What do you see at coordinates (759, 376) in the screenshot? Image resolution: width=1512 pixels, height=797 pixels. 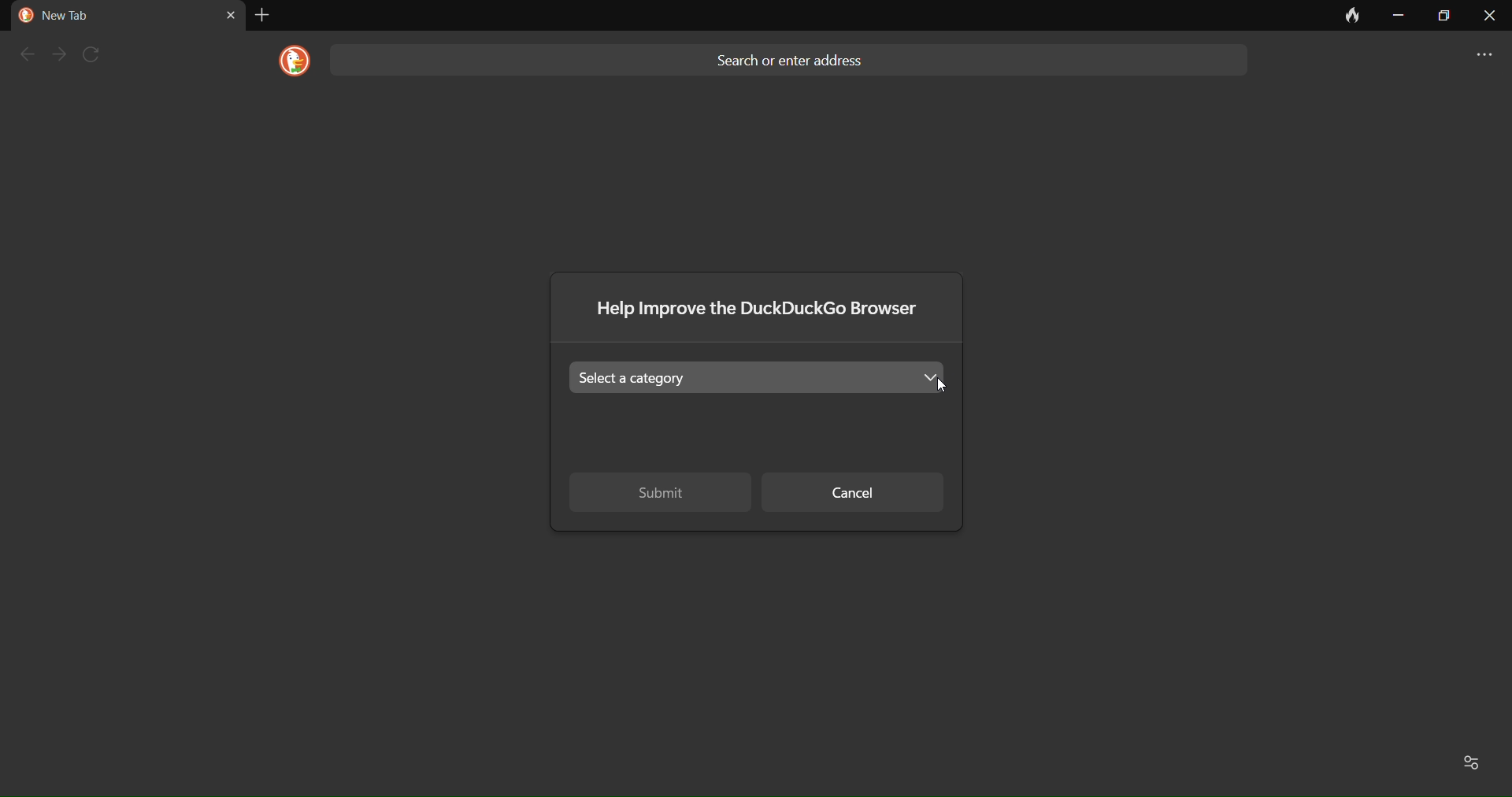 I see `Select the category` at bounding box center [759, 376].